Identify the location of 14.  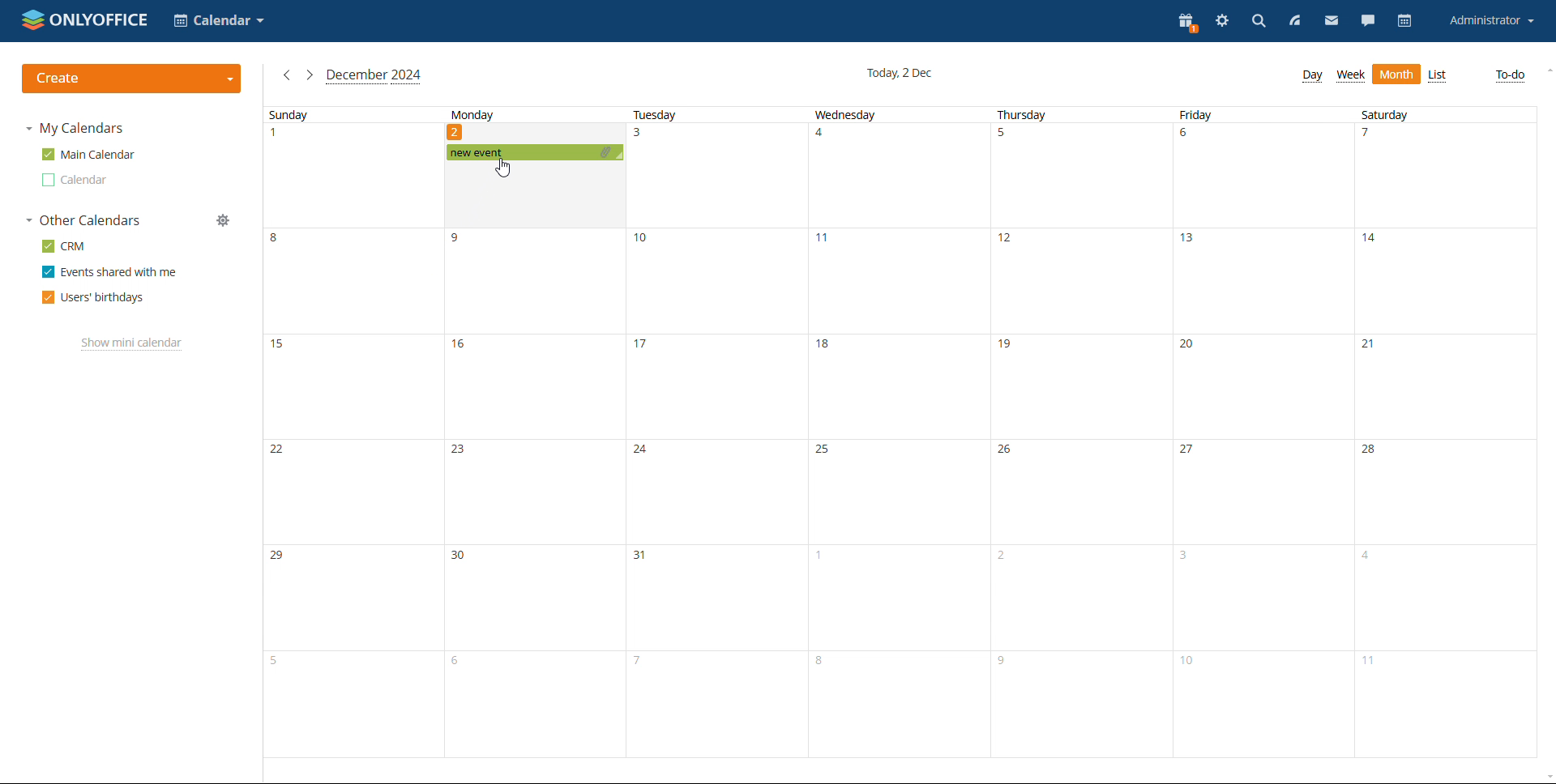
(1375, 245).